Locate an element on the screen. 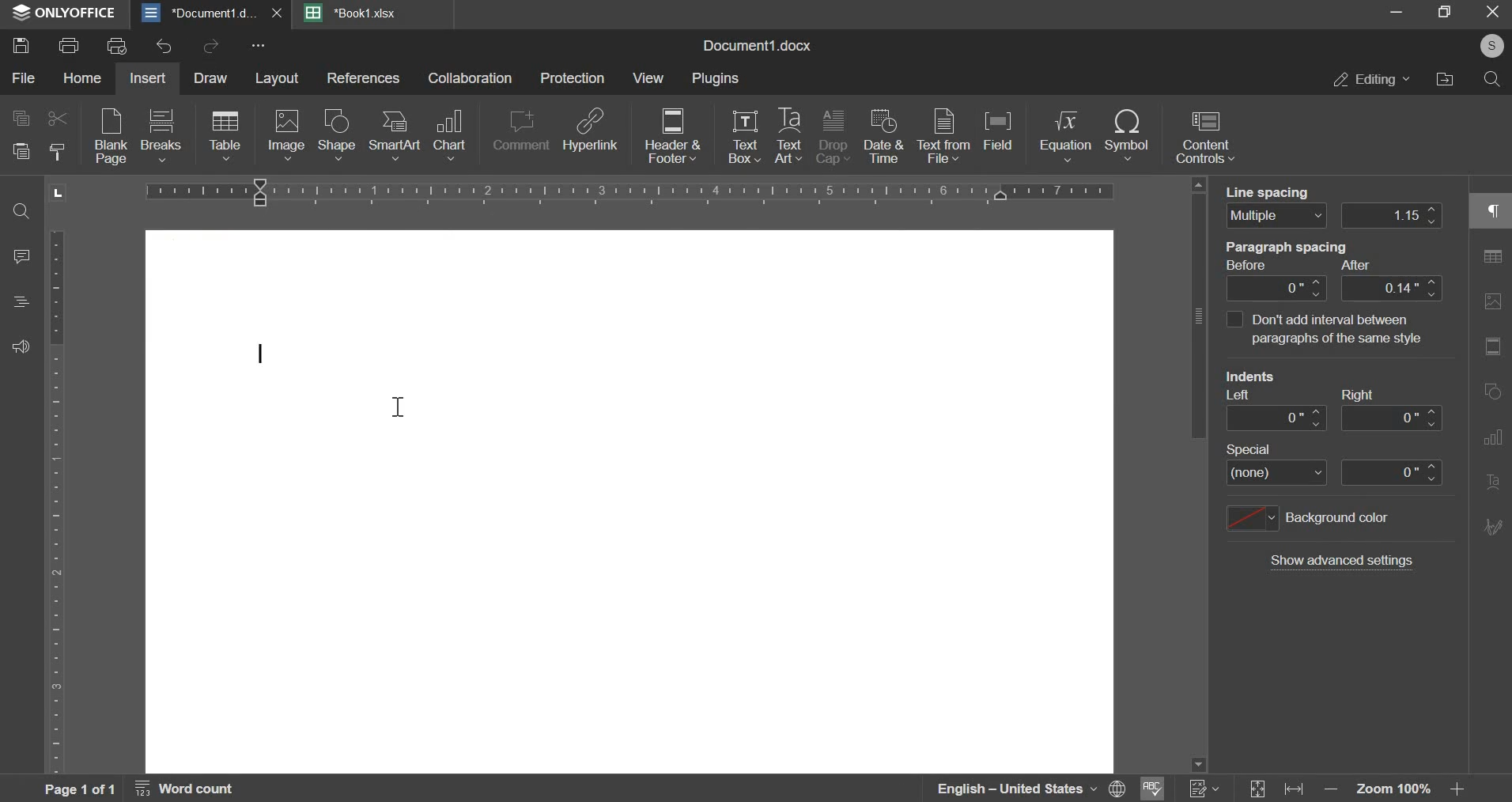  copy style is located at coordinates (58, 151).